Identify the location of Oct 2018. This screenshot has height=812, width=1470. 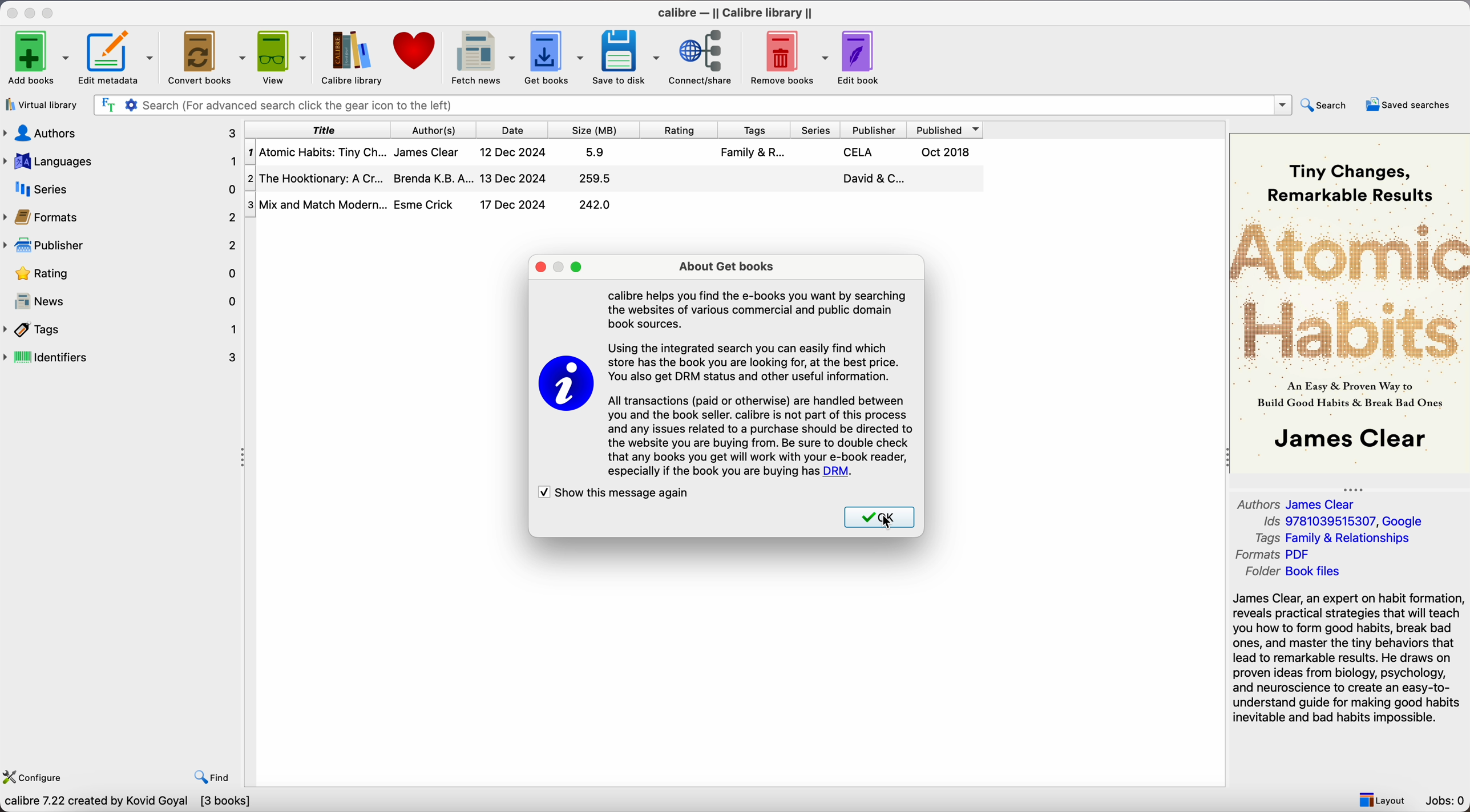
(947, 151).